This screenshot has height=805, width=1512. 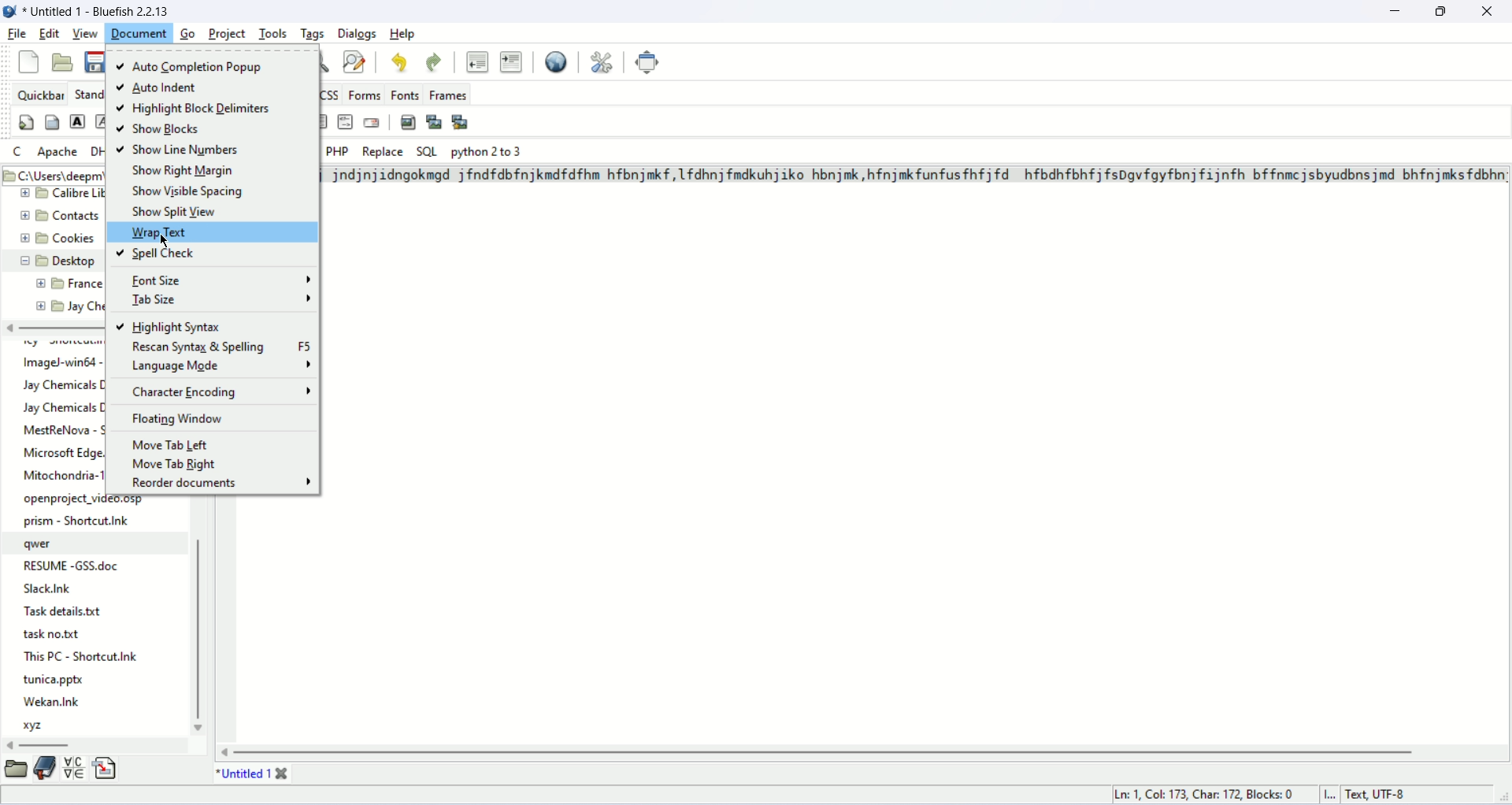 I want to click on new, so click(x=28, y=61).